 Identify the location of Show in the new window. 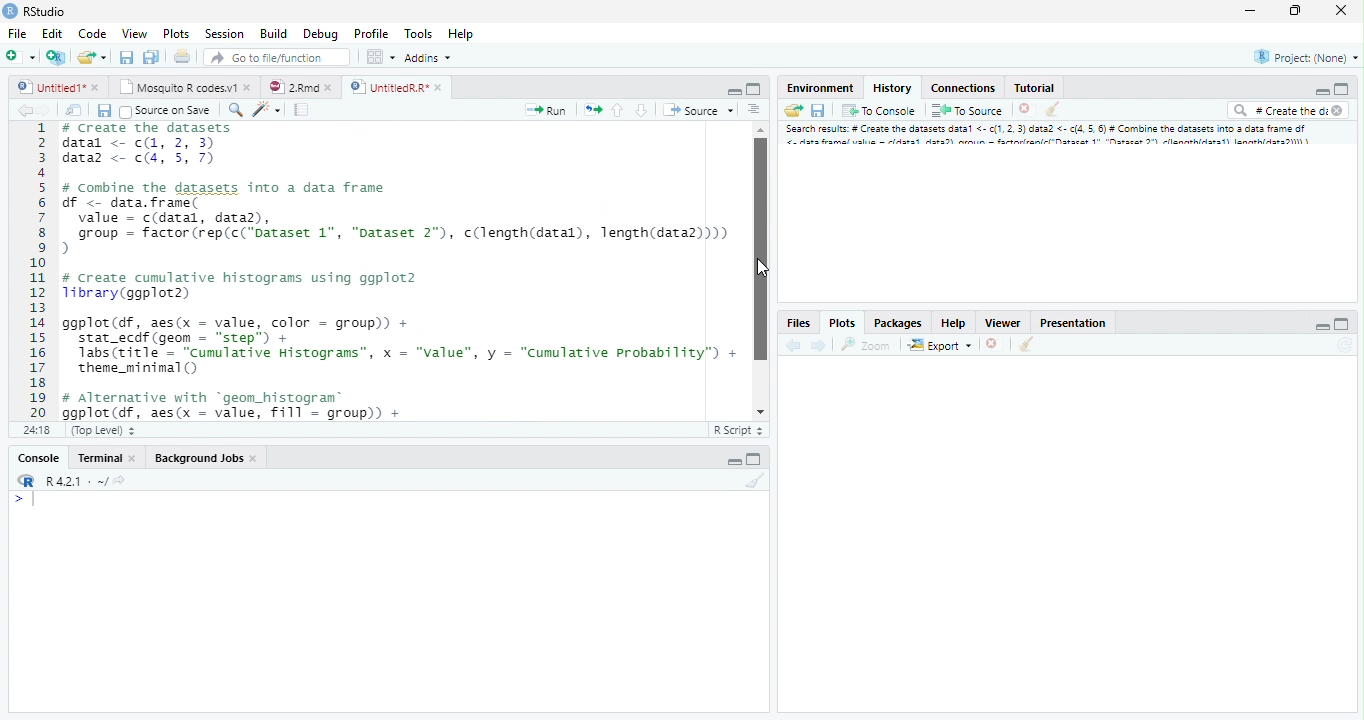
(72, 110).